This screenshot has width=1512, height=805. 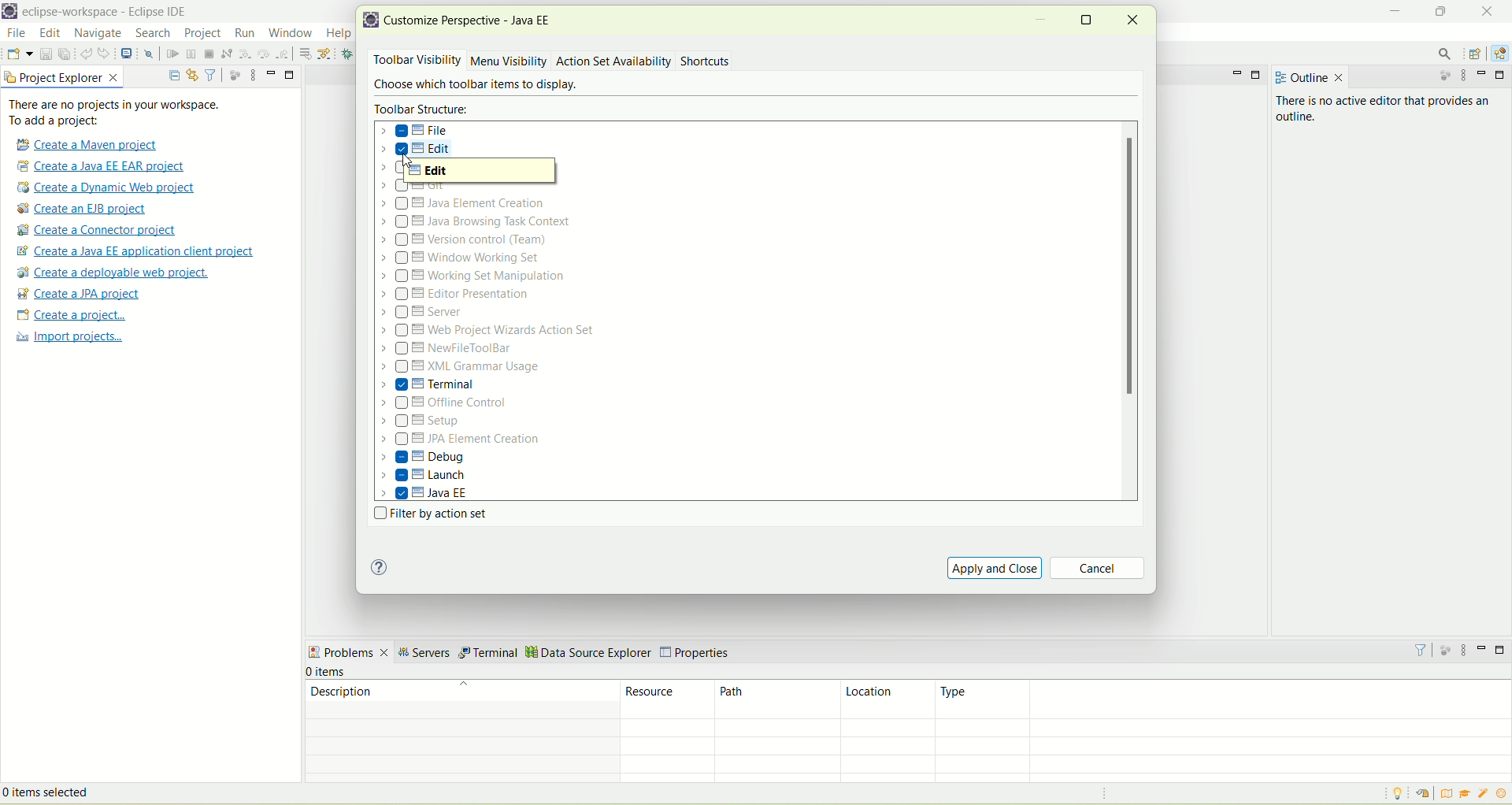 I want to click on location, so click(x=888, y=700).